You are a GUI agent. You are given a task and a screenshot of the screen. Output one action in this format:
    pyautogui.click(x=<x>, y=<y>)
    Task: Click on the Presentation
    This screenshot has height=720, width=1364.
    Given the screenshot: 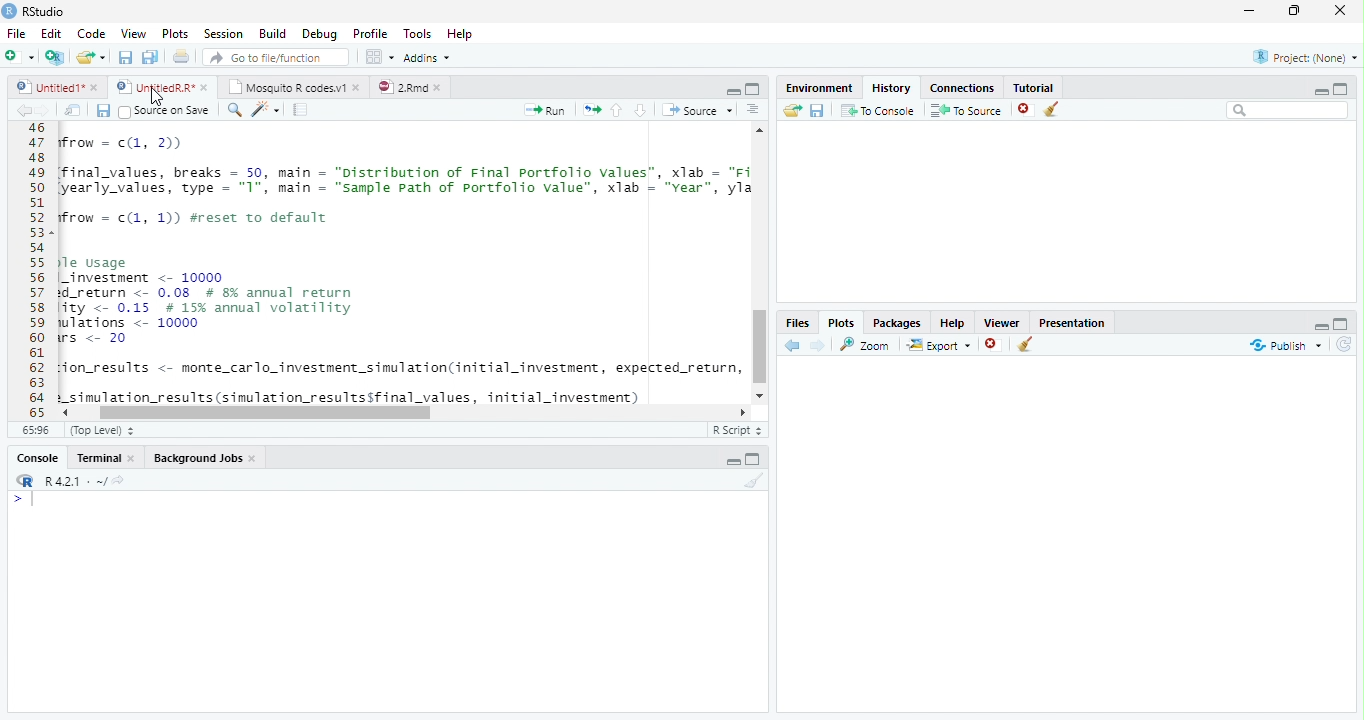 What is the action you would take?
    pyautogui.click(x=1072, y=321)
    